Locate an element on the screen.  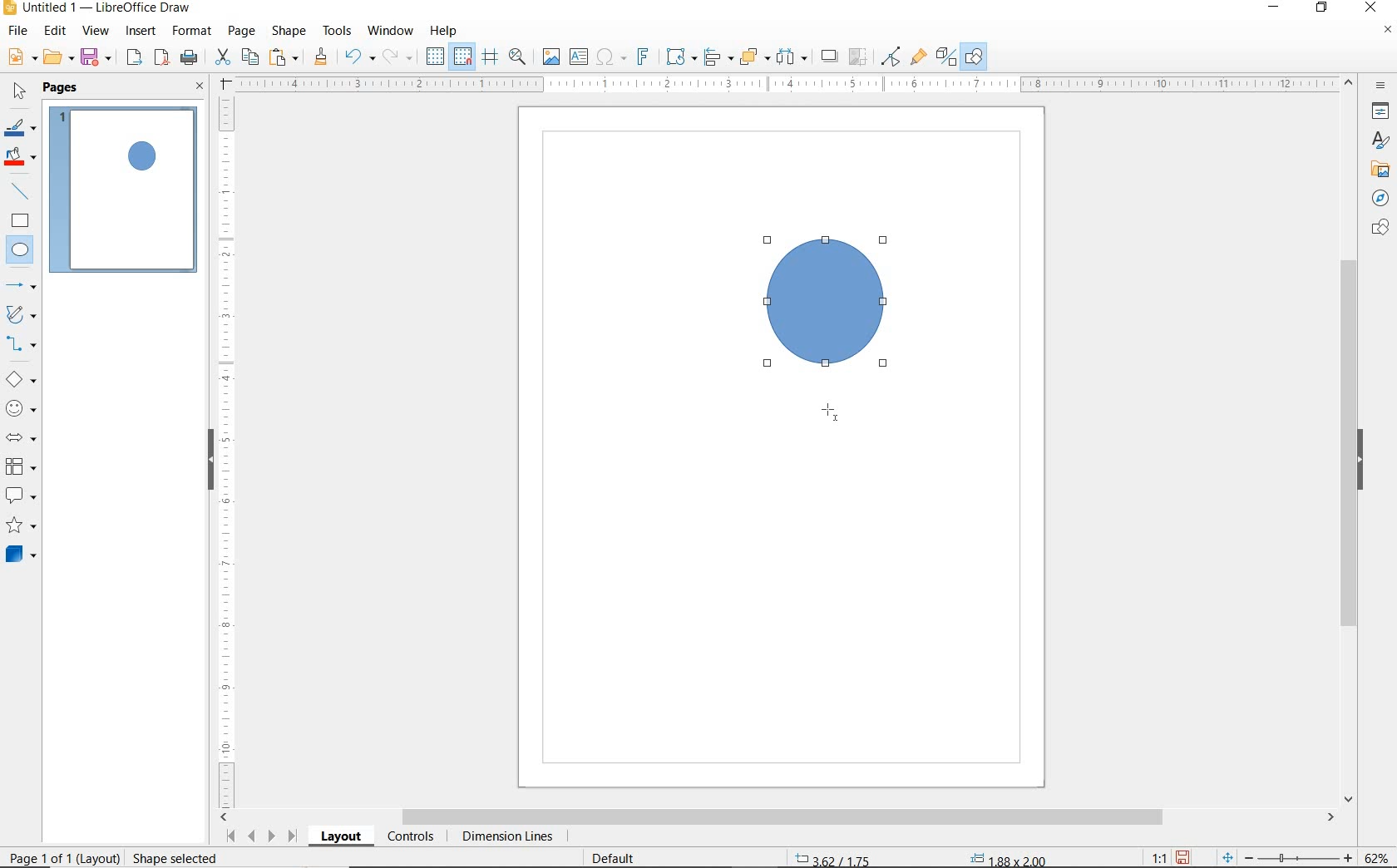
SELECT AT LEAST 3 OBJECTS TO DISTRIBUTE is located at coordinates (792, 56).